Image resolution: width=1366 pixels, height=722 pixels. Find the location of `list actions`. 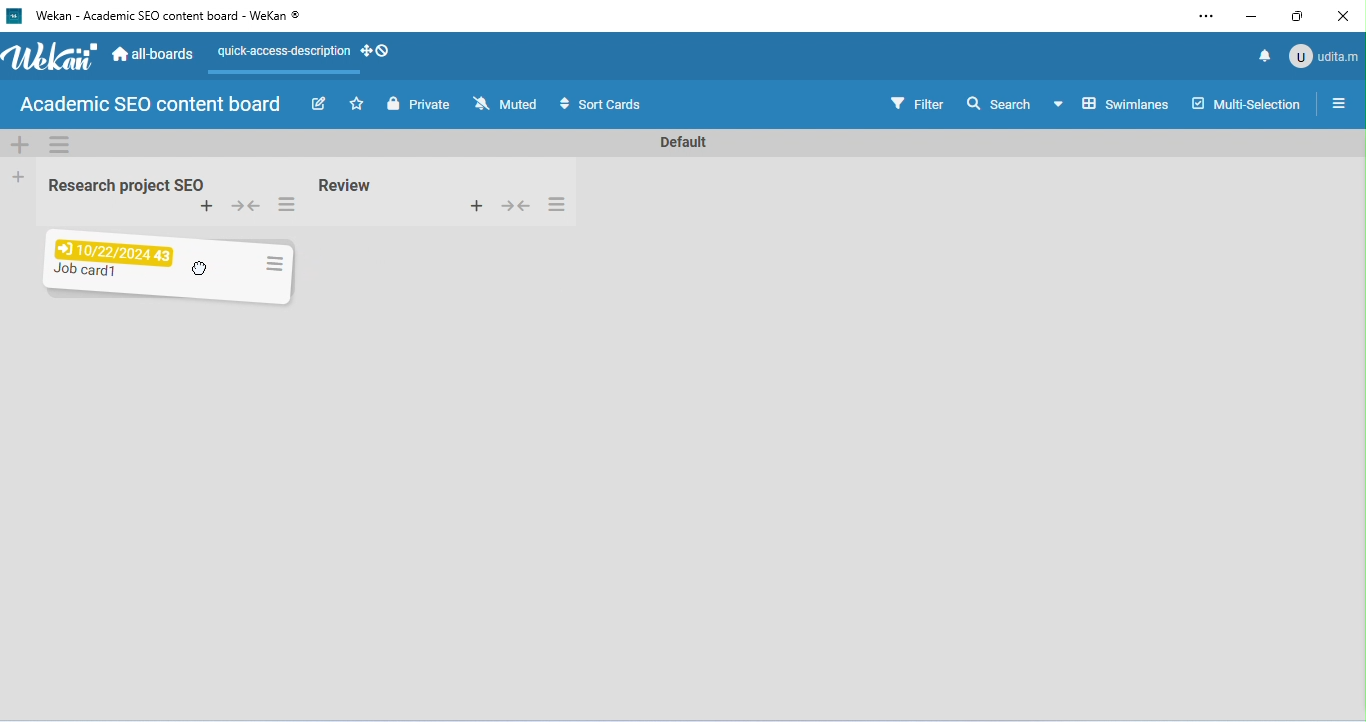

list actions is located at coordinates (285, 206).